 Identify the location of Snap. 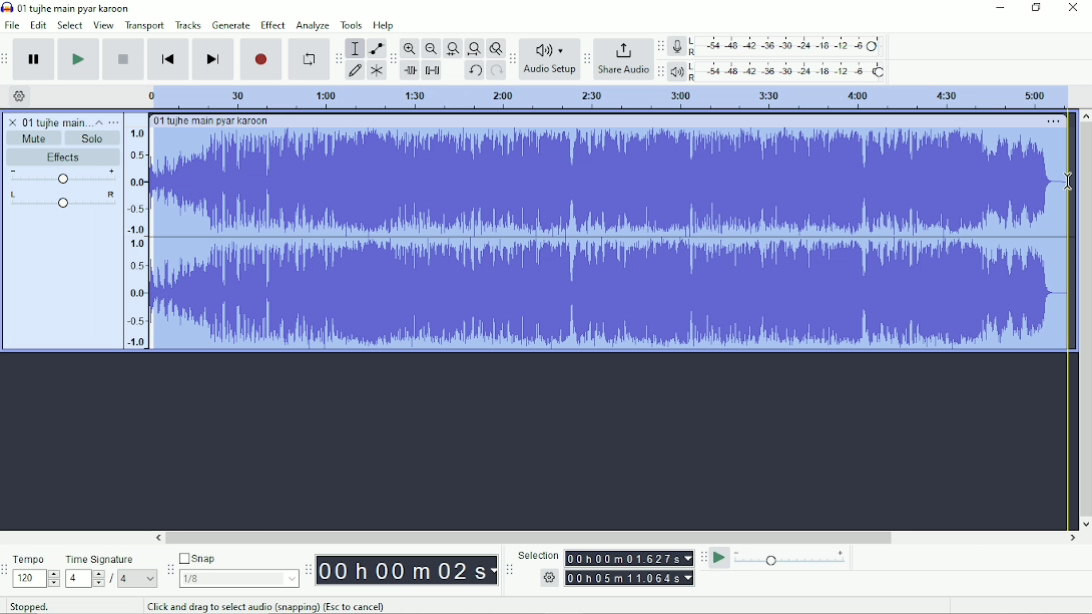
(238, 557).